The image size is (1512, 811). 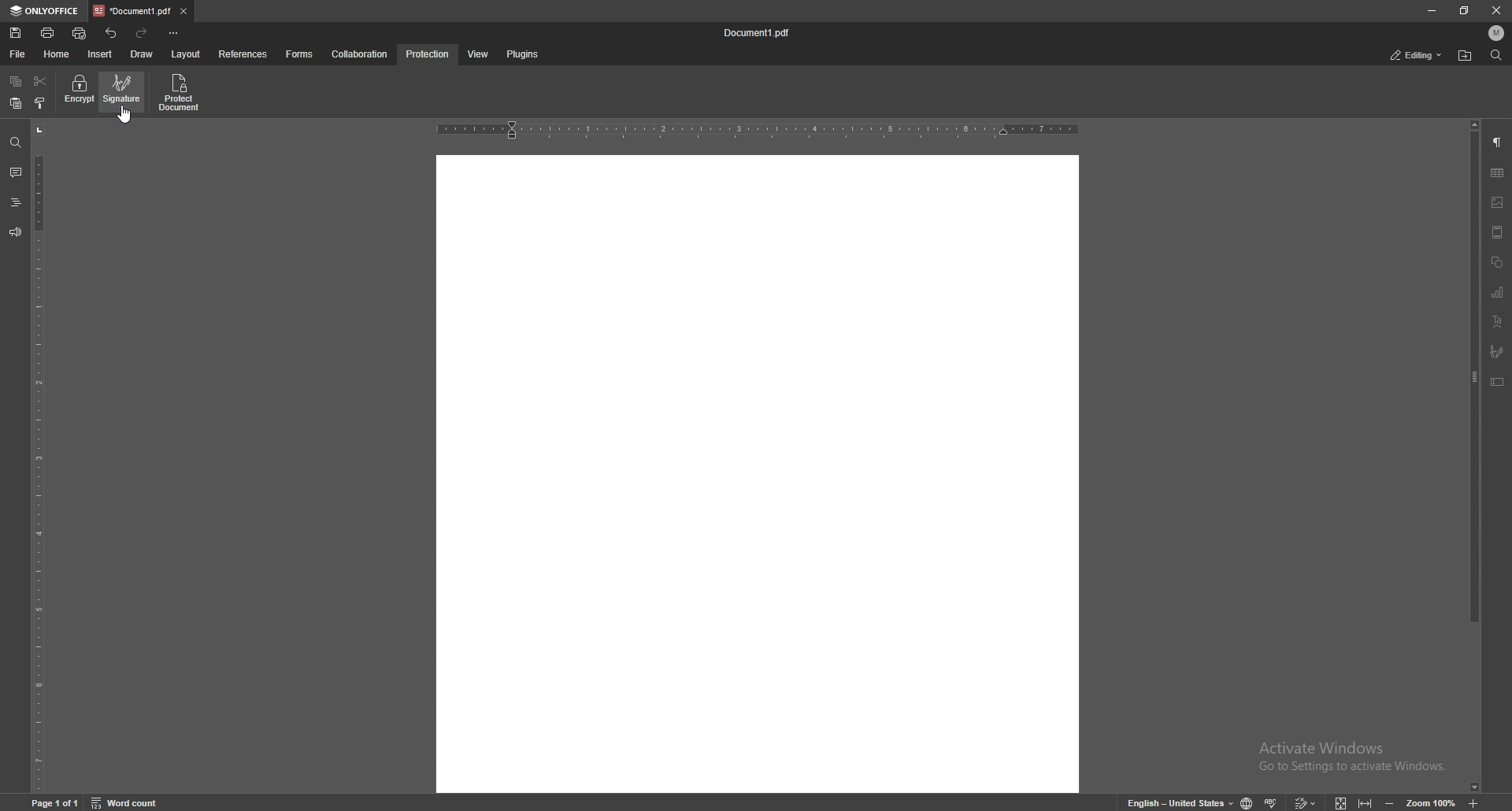 What do you see at coordinates (41, 103) in the screenshot?
I see `copy style` at bounding box center [41, 103].